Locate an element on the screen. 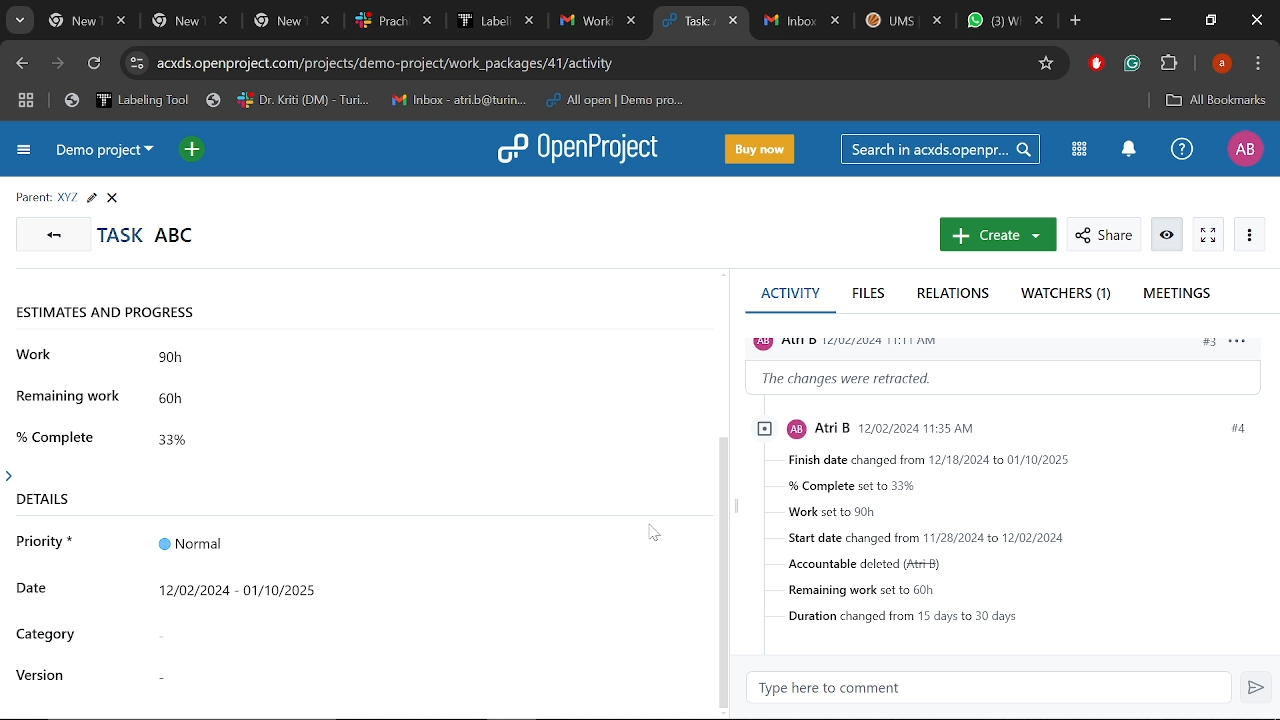  work is located at coordinates (37, 354).